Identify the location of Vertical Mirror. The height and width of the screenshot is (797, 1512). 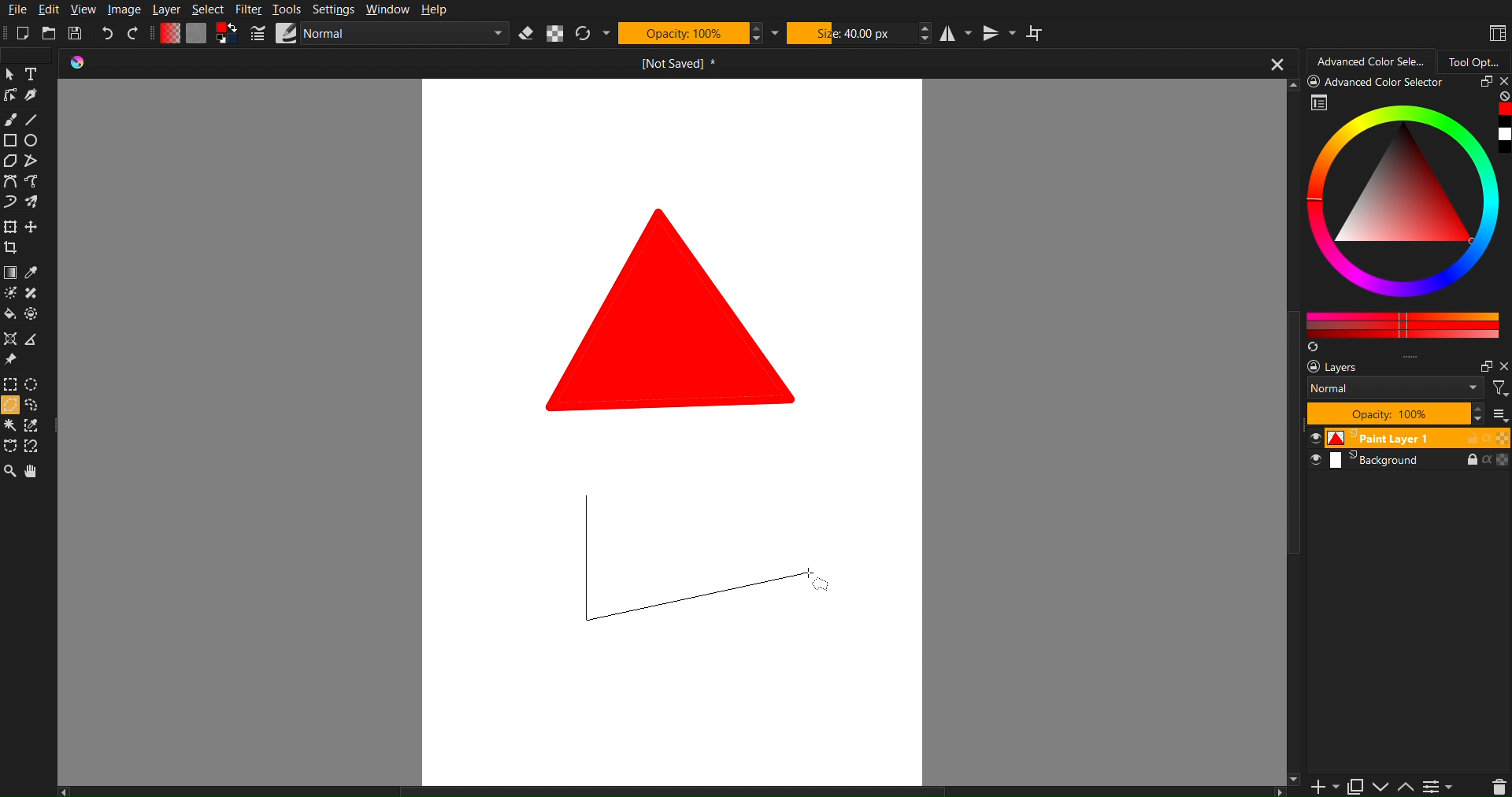
(999, 34).